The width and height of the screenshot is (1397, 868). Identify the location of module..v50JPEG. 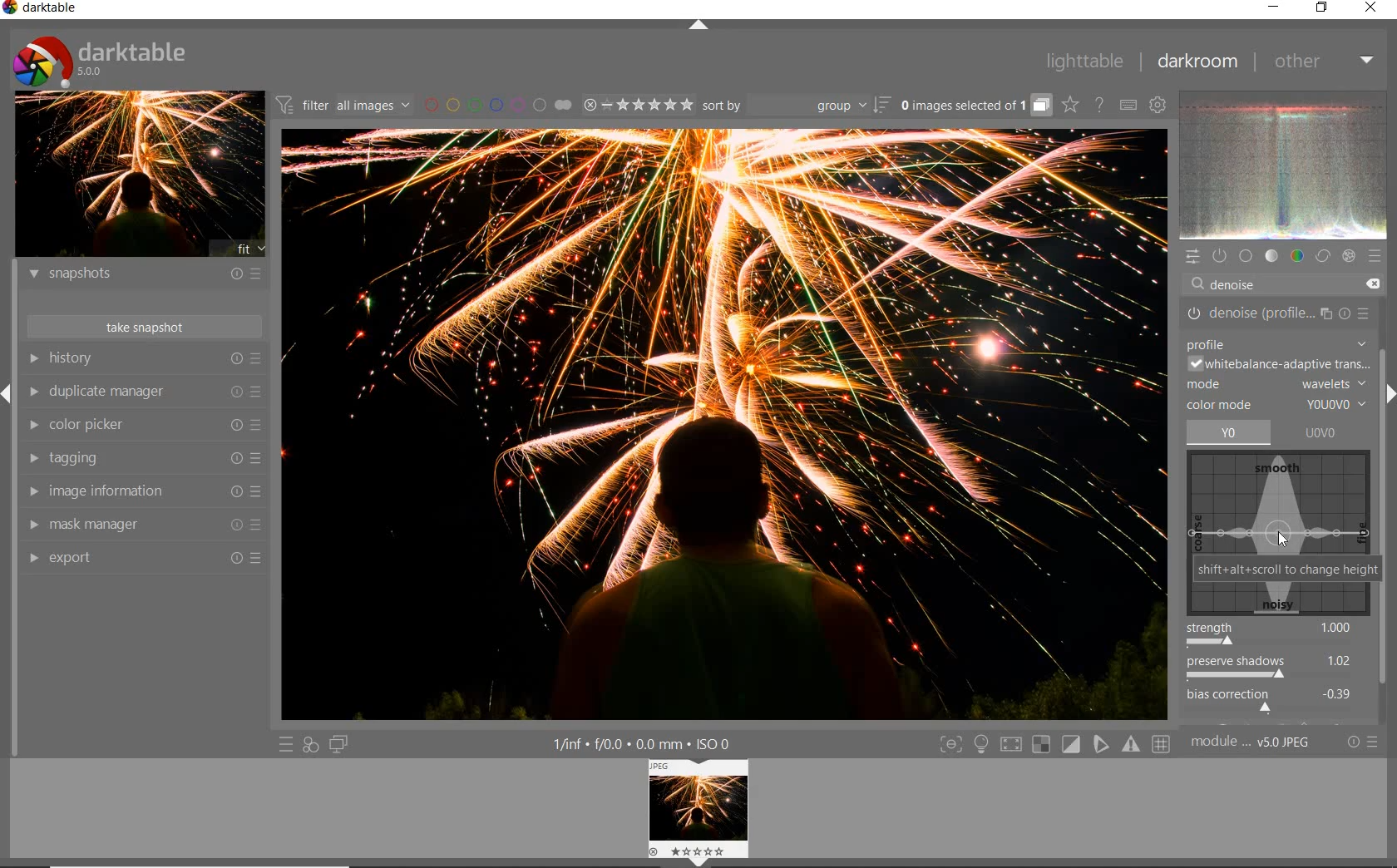
(1249, 742).